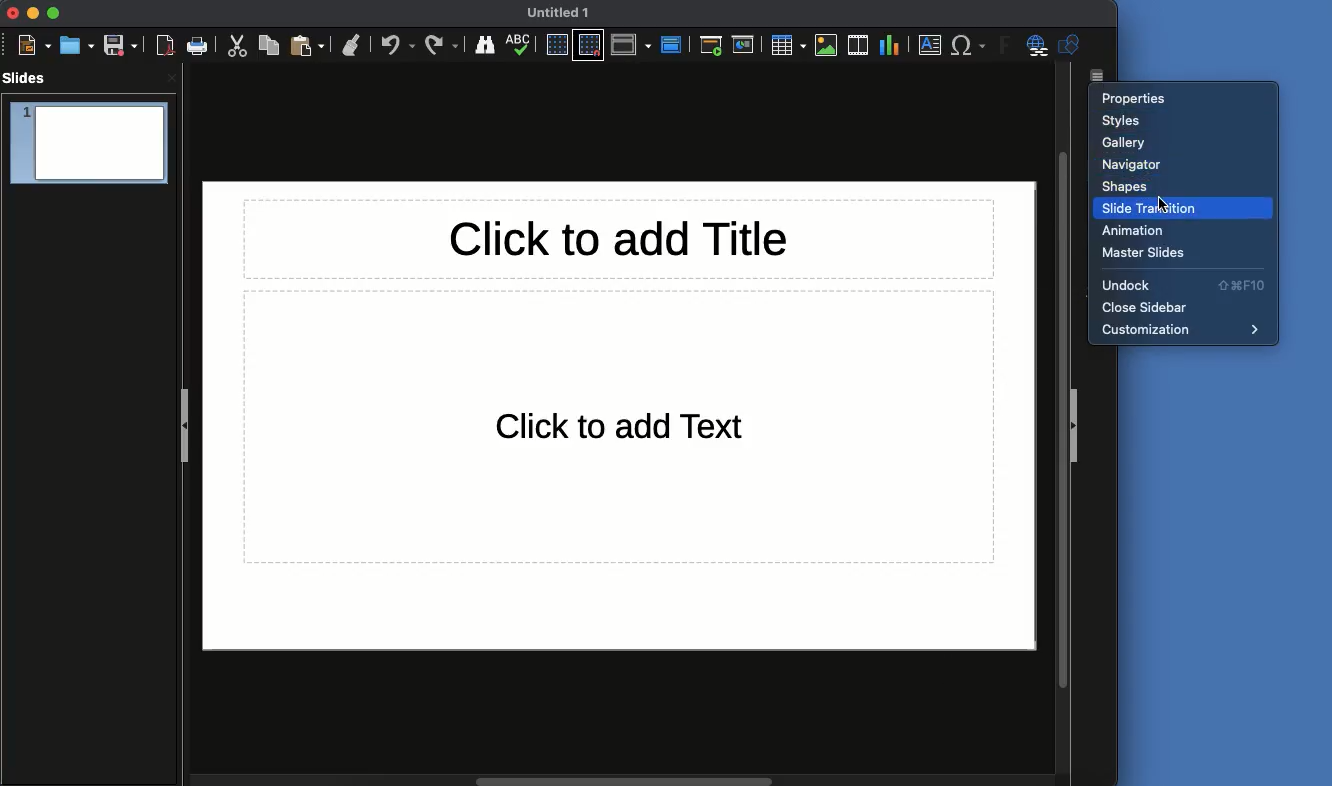 This screenshot has height=786, width=1332. Describe the element at coordinates (36, 46) in the screenshot. I see `New` at that location.